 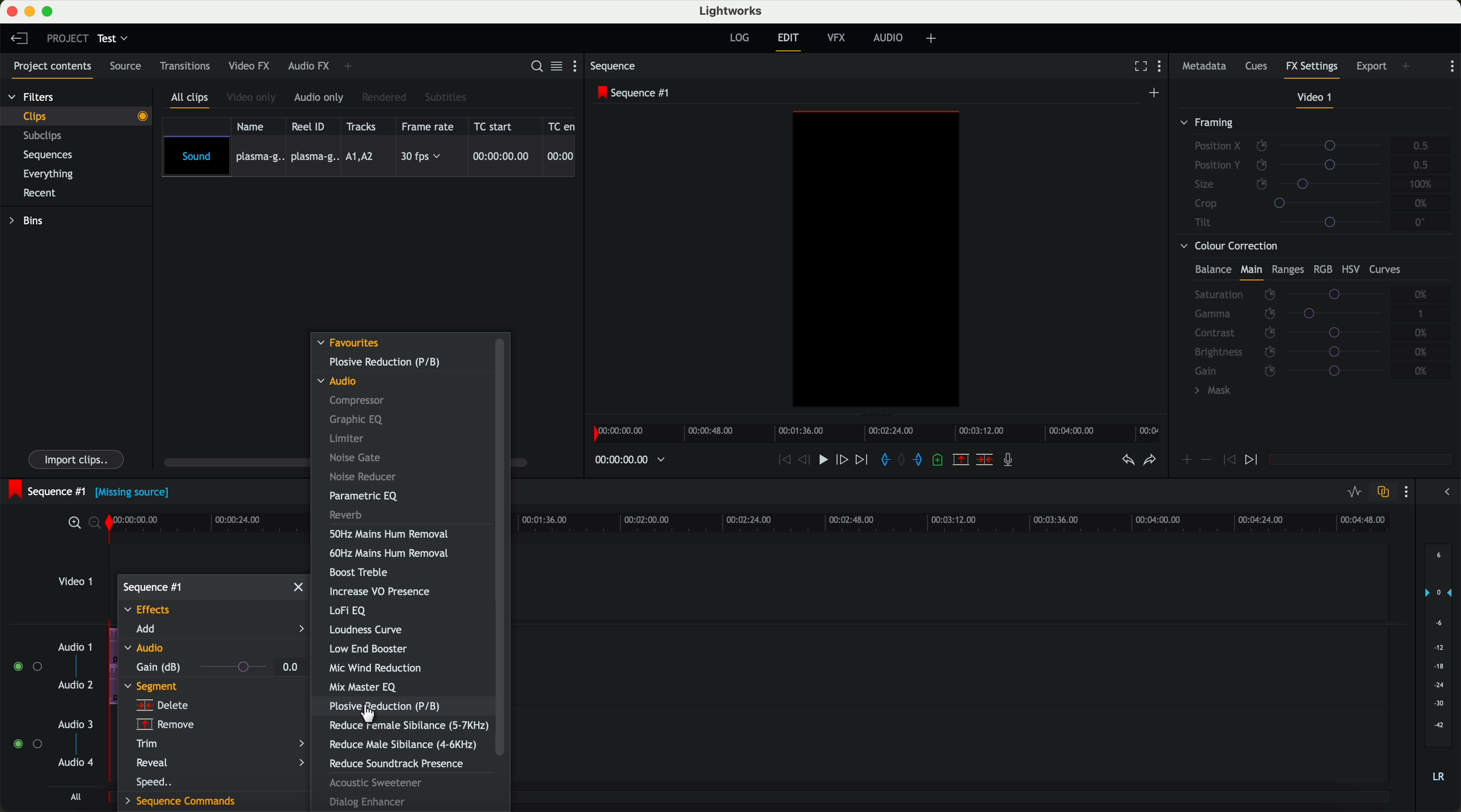 I want to click on play, so click(x=826, y=461).